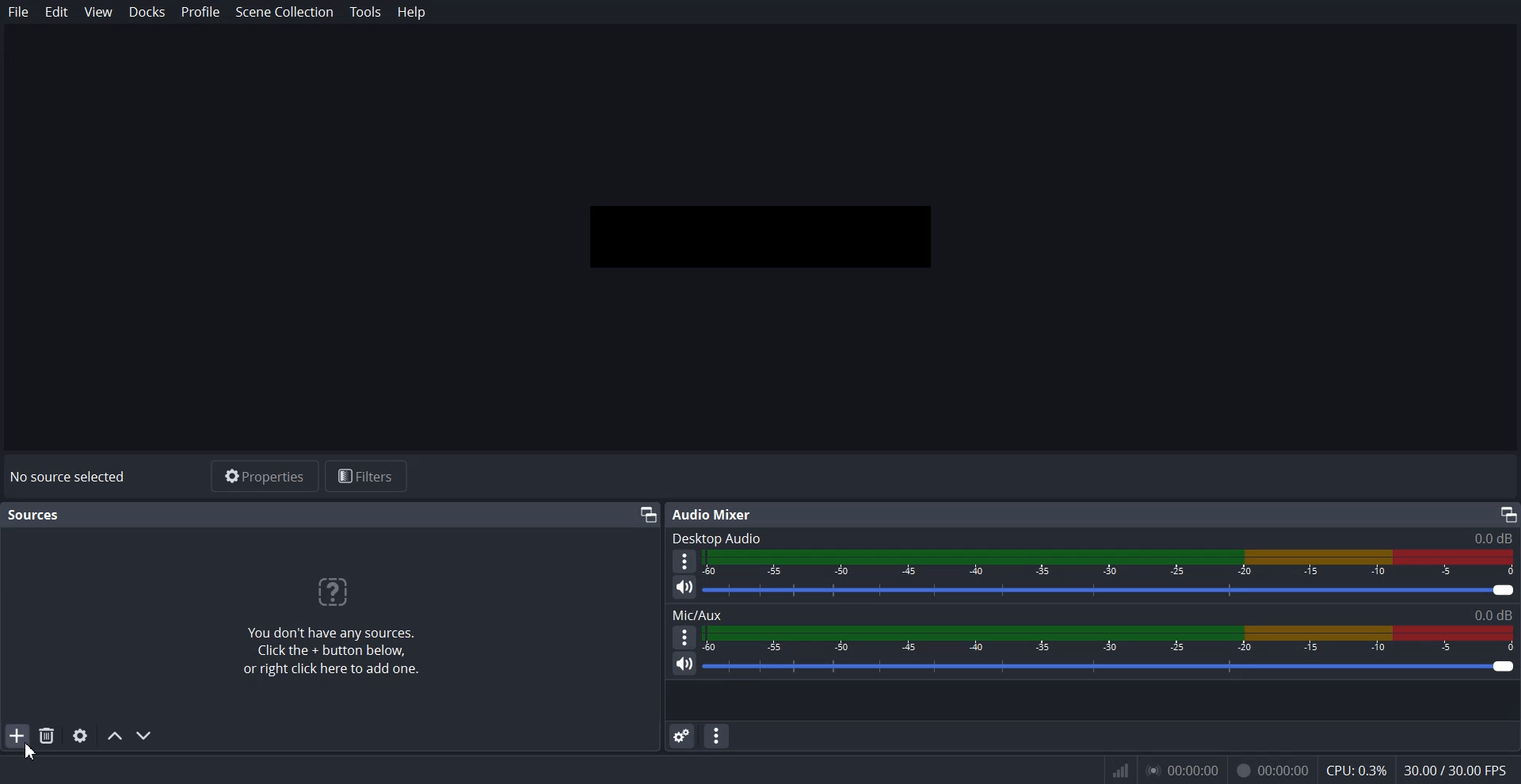 The width and height of the screenshot is (1521, 784). What do you see at coordinates (682, 637) in the screenshot?
I see `More ` at bounding box center [682, 637].